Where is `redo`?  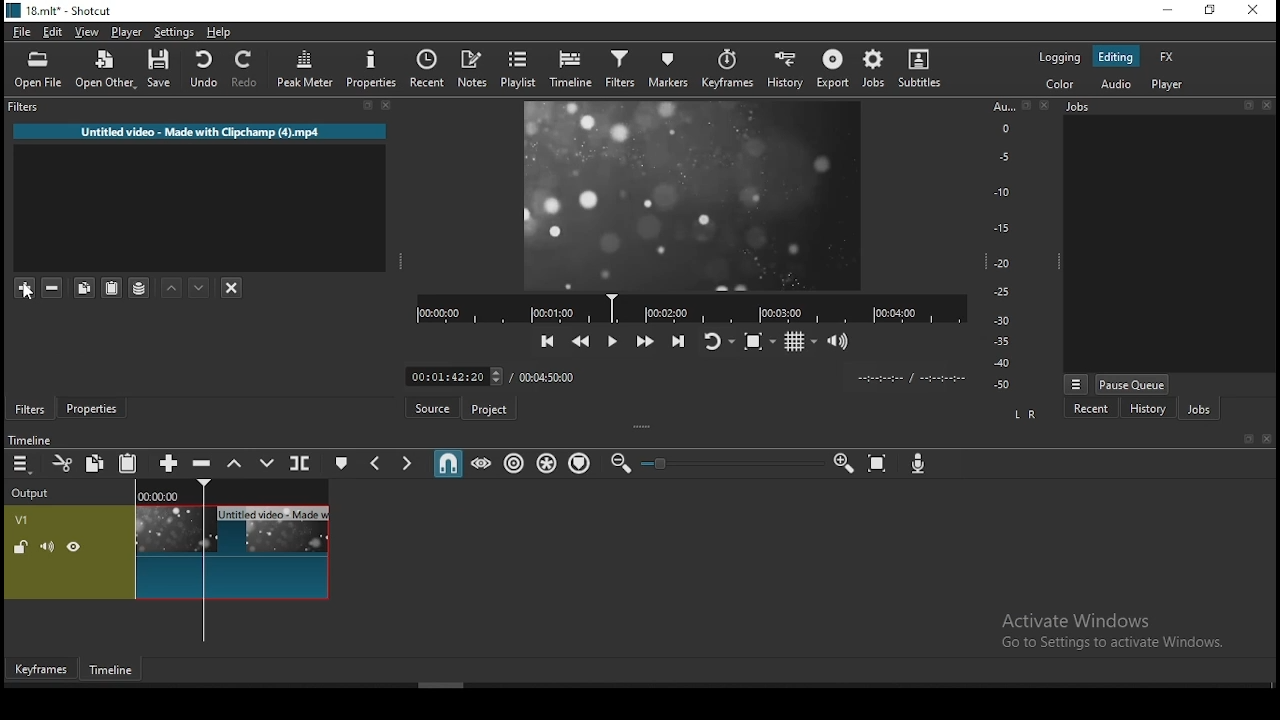
redo is located at coordinates (246, 69).